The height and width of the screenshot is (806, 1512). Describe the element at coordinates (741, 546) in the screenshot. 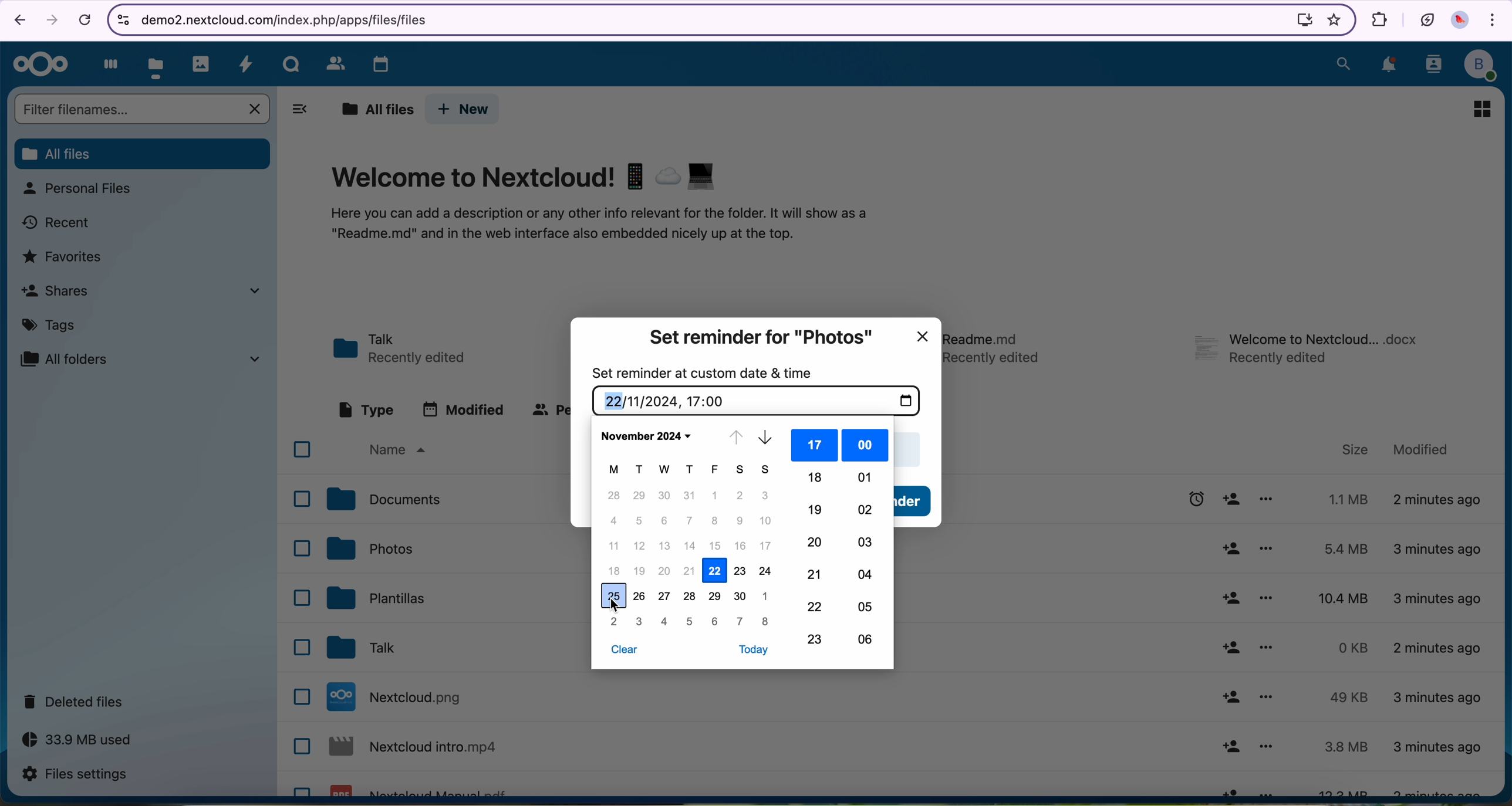

I see `16` at that location.